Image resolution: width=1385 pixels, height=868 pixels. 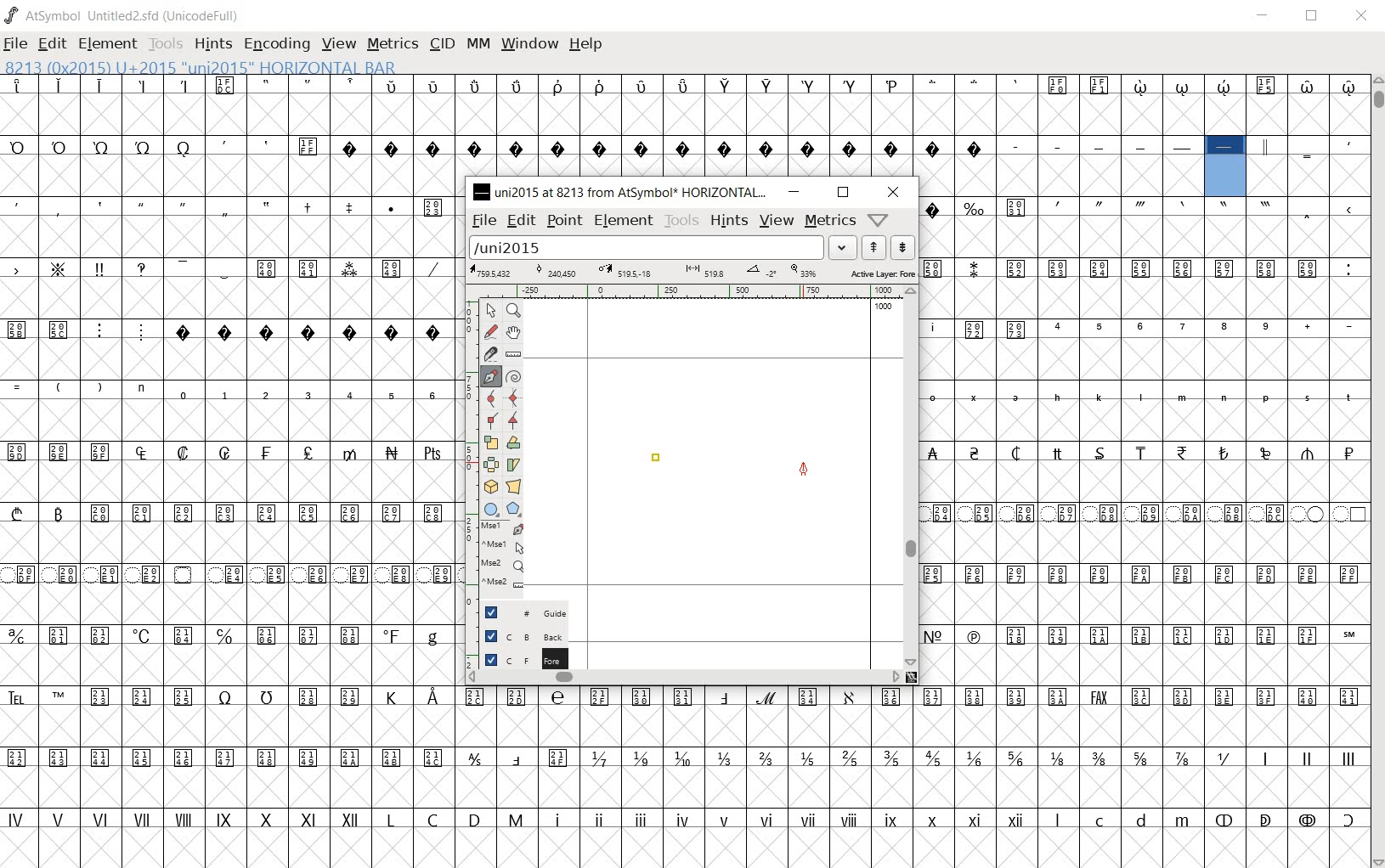 I want to click on RESTORE DOWN, so click(x=1314, y=17).